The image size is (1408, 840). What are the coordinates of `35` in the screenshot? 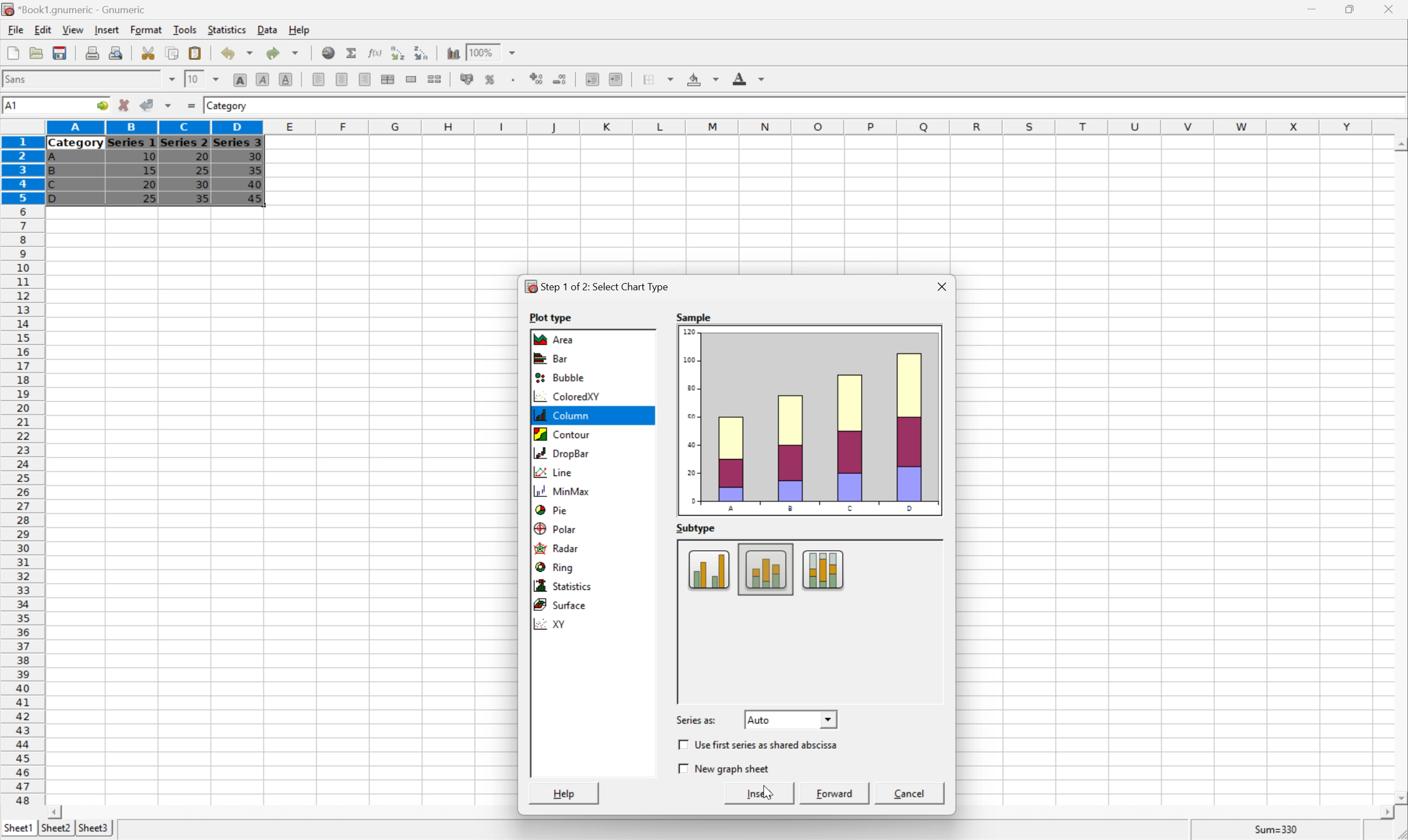 It's located at (202, 198).